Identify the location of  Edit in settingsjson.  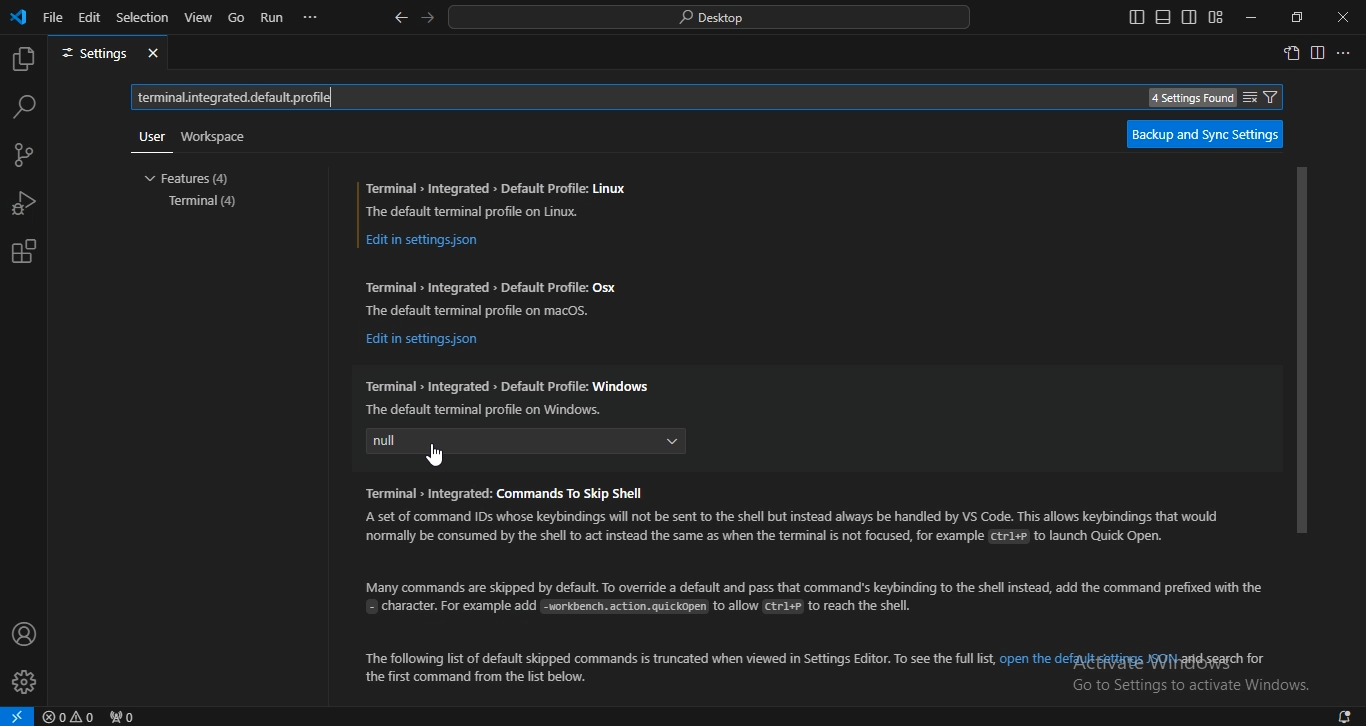
(429, 241).